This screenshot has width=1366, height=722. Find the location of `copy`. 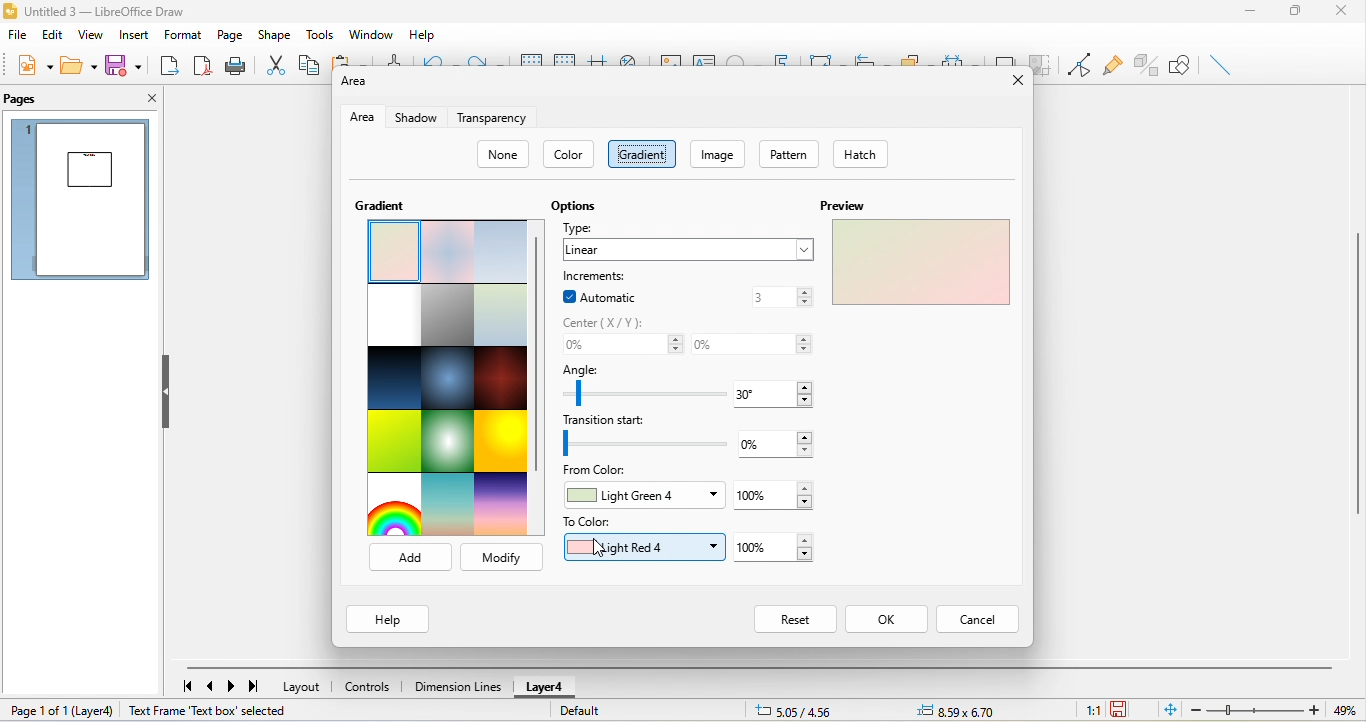

copy is located at coordinates (310, 65).